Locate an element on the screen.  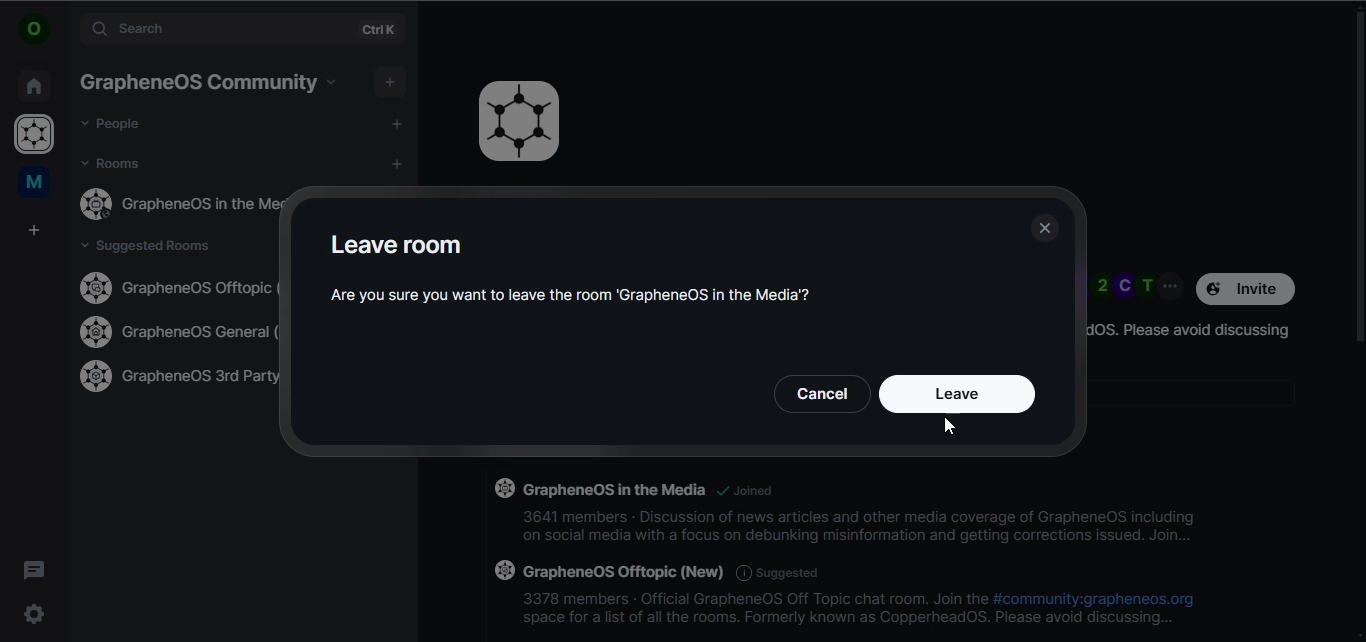
view profile is located at coordinates (32, 29).